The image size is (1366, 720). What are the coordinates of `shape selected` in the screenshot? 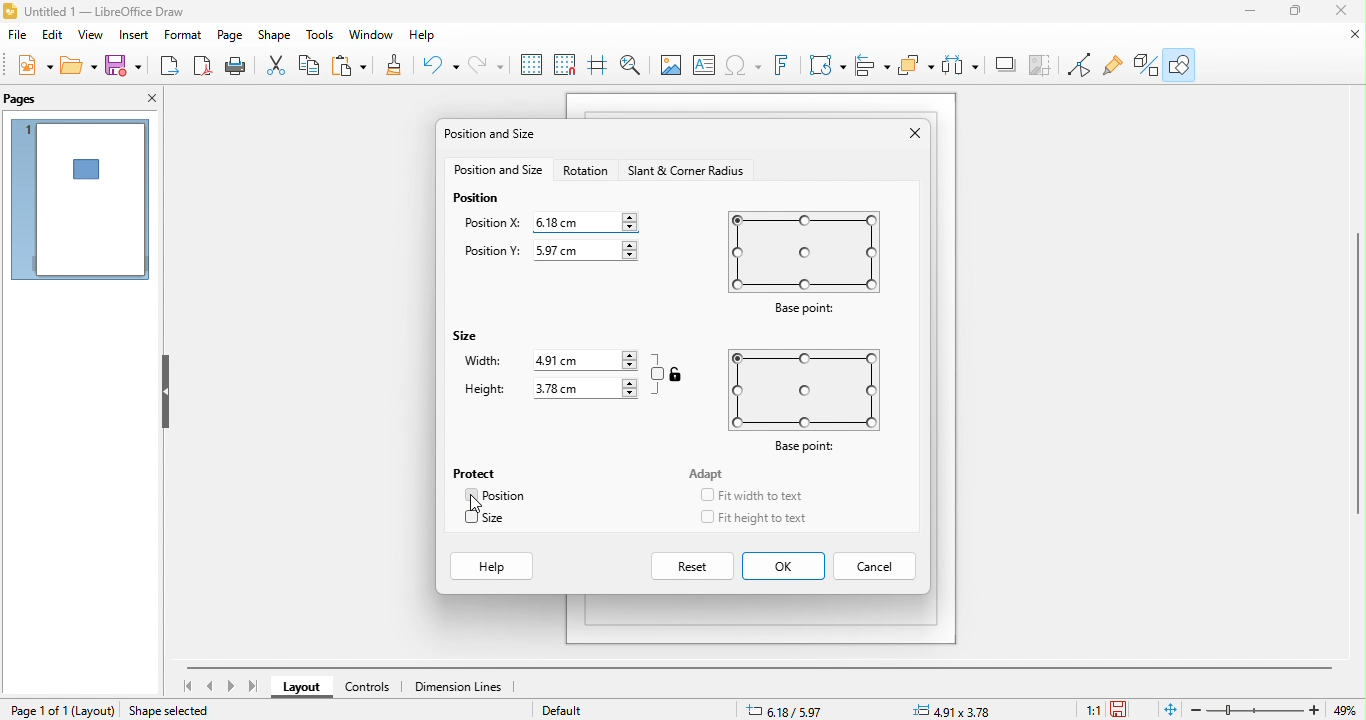 It's located at (176, 709).